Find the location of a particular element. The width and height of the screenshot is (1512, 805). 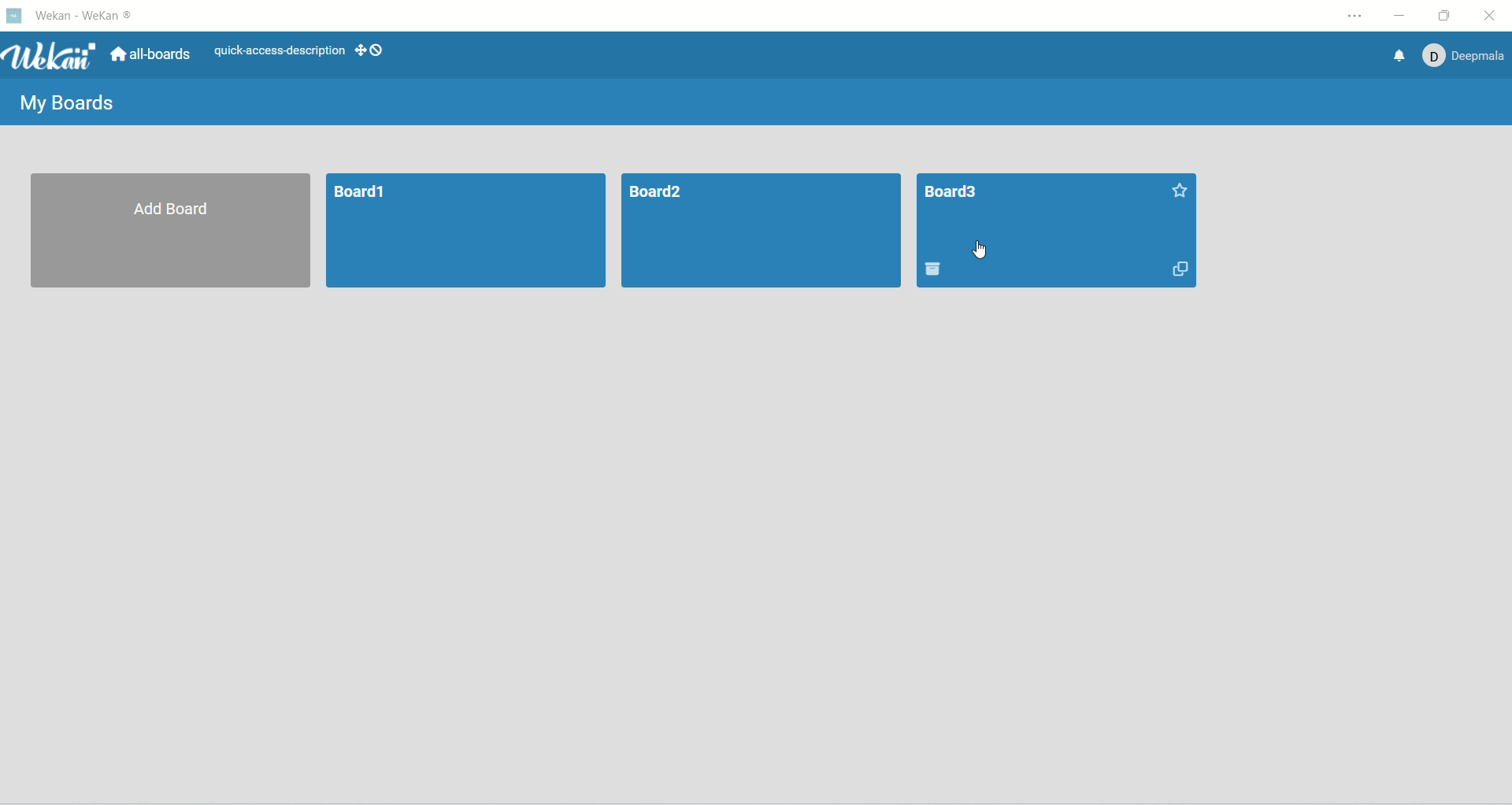

board1 is located at coordinates (465, 229).